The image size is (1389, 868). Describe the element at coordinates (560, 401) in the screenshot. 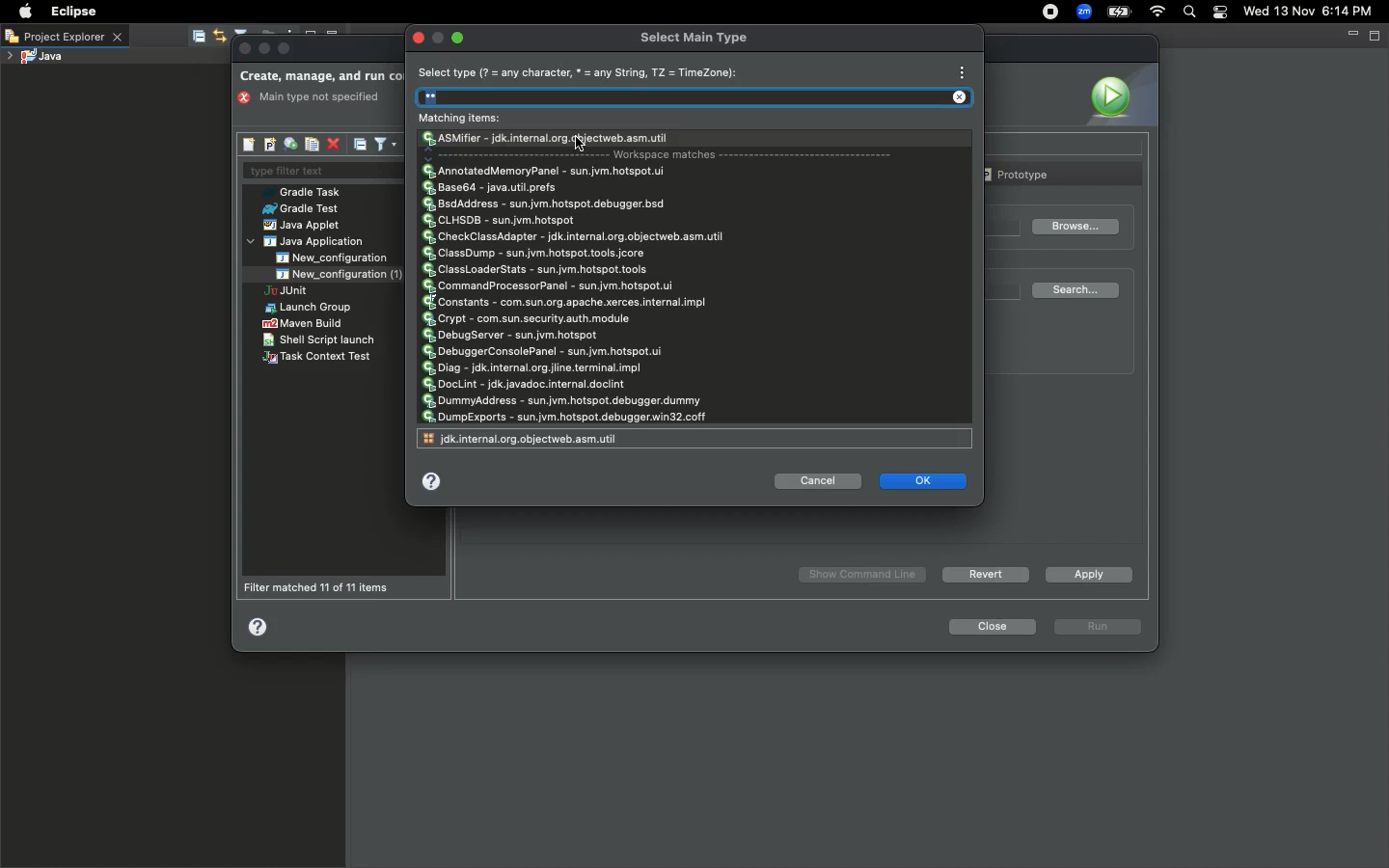

I see `DummyAddress - sun.jvm.hotspot.debugger.dummy` at that location.